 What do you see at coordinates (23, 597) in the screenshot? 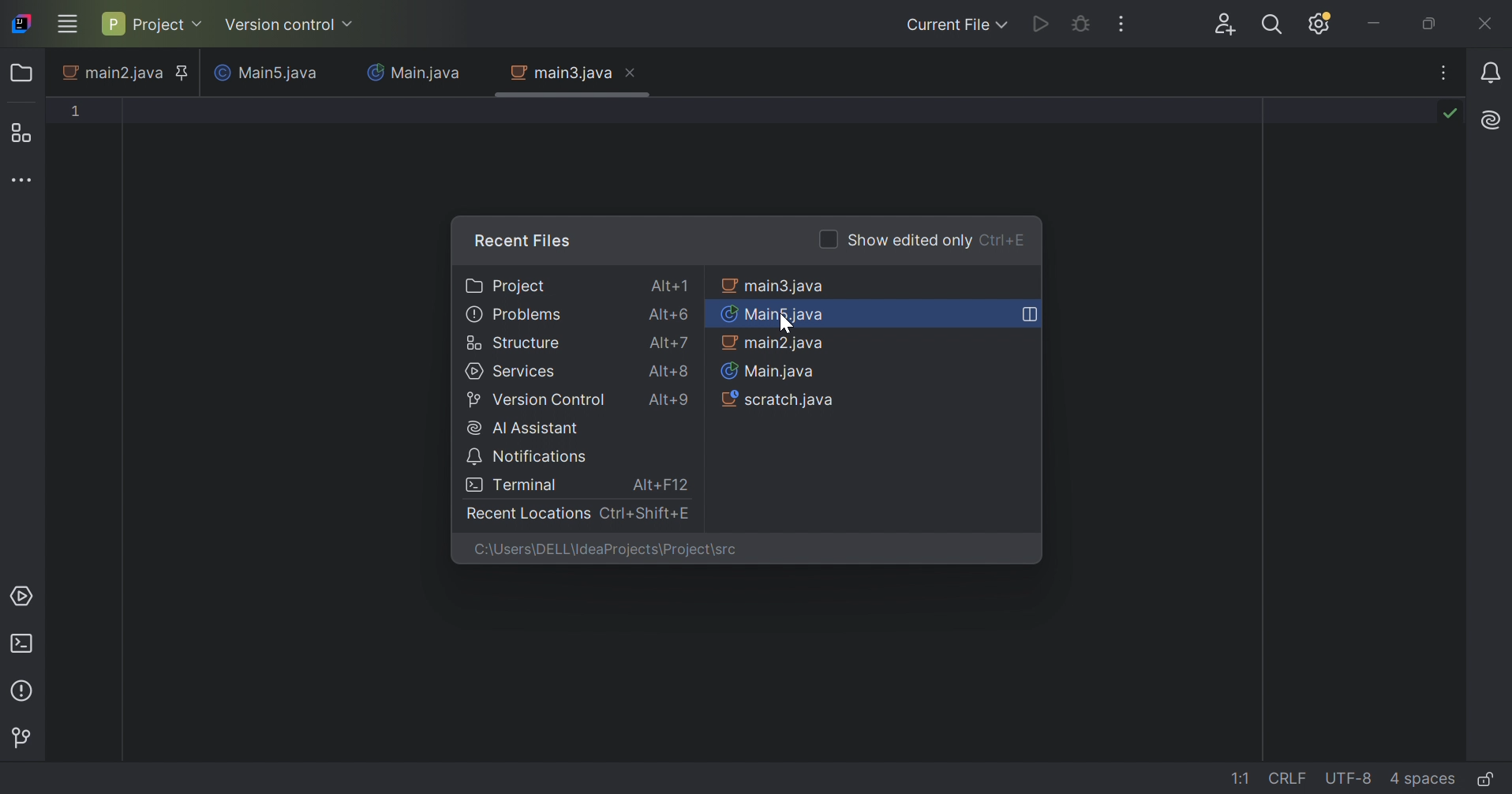
I see `Services` at bounding box center [23, 597].